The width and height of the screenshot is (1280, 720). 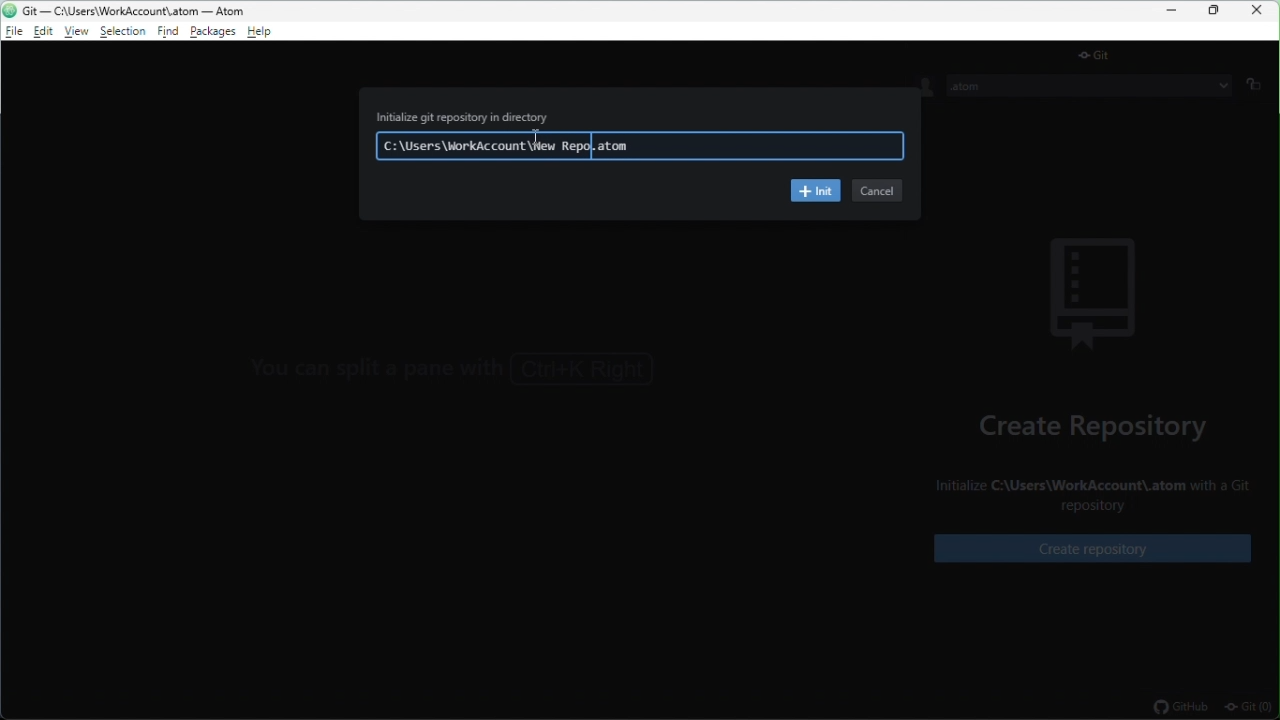 What do you see at coordinates (79, 32) in the screenshot?
I see `view` at bounding box center [79, 32].